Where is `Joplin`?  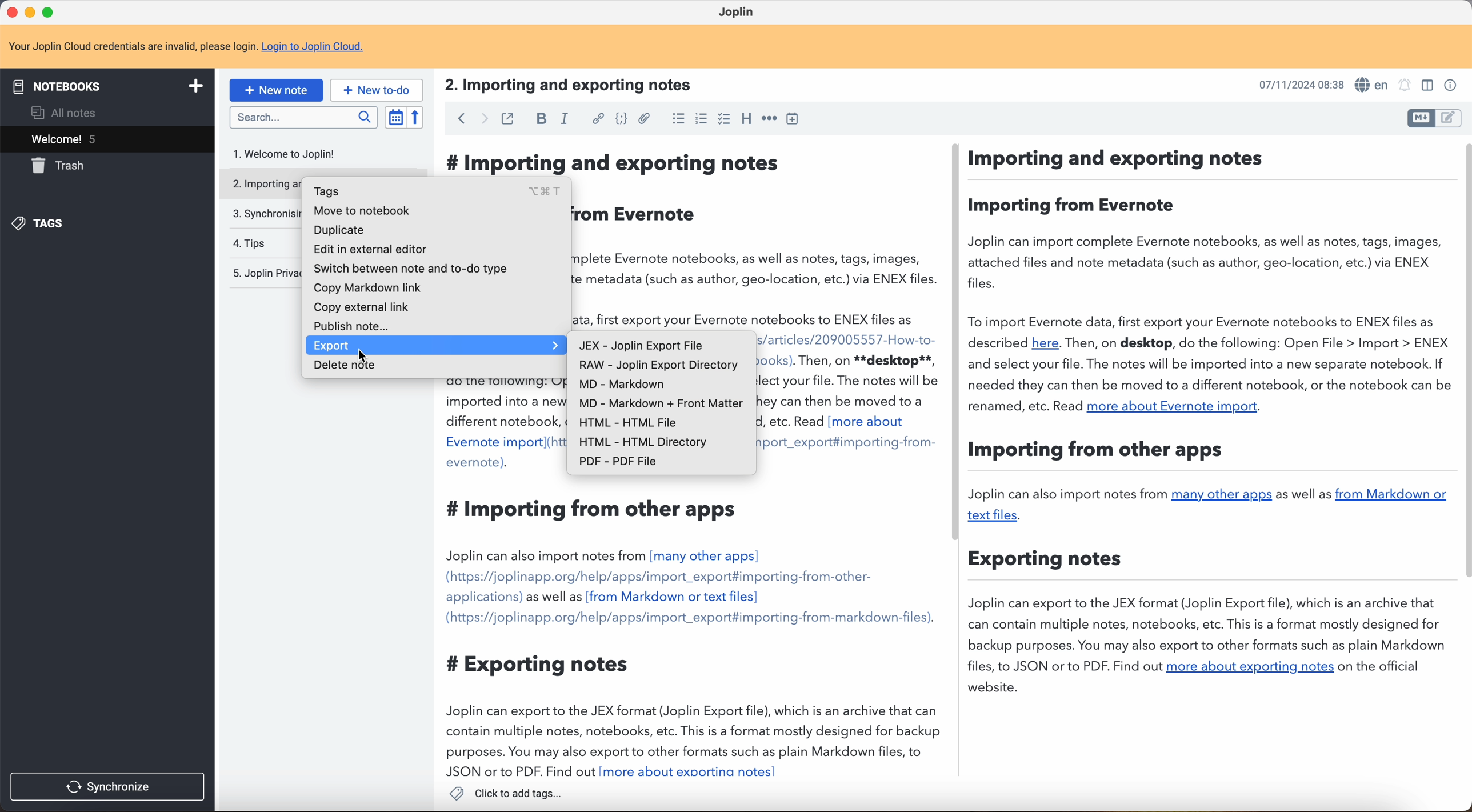 Joplin is located at coordinates (739, 13).